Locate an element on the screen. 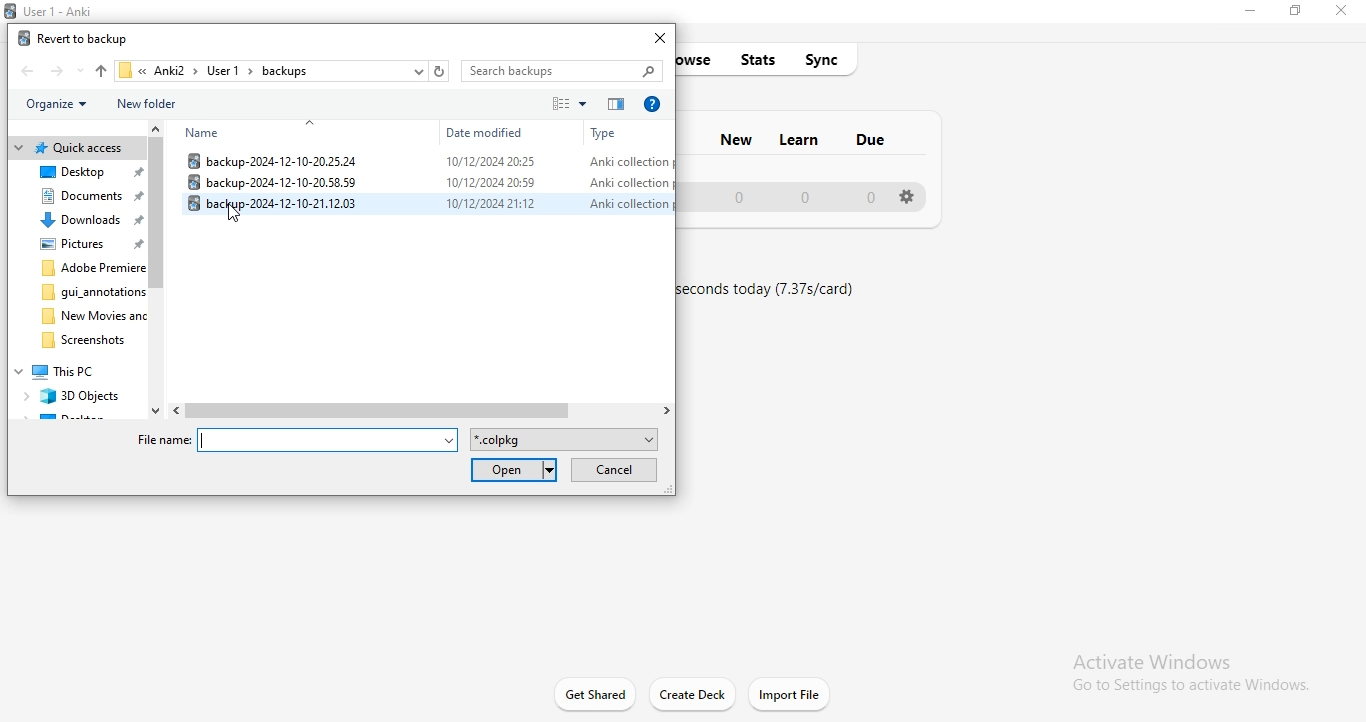 The image size is (1366, 722). scroll bar is located at coordinates (424, 410).